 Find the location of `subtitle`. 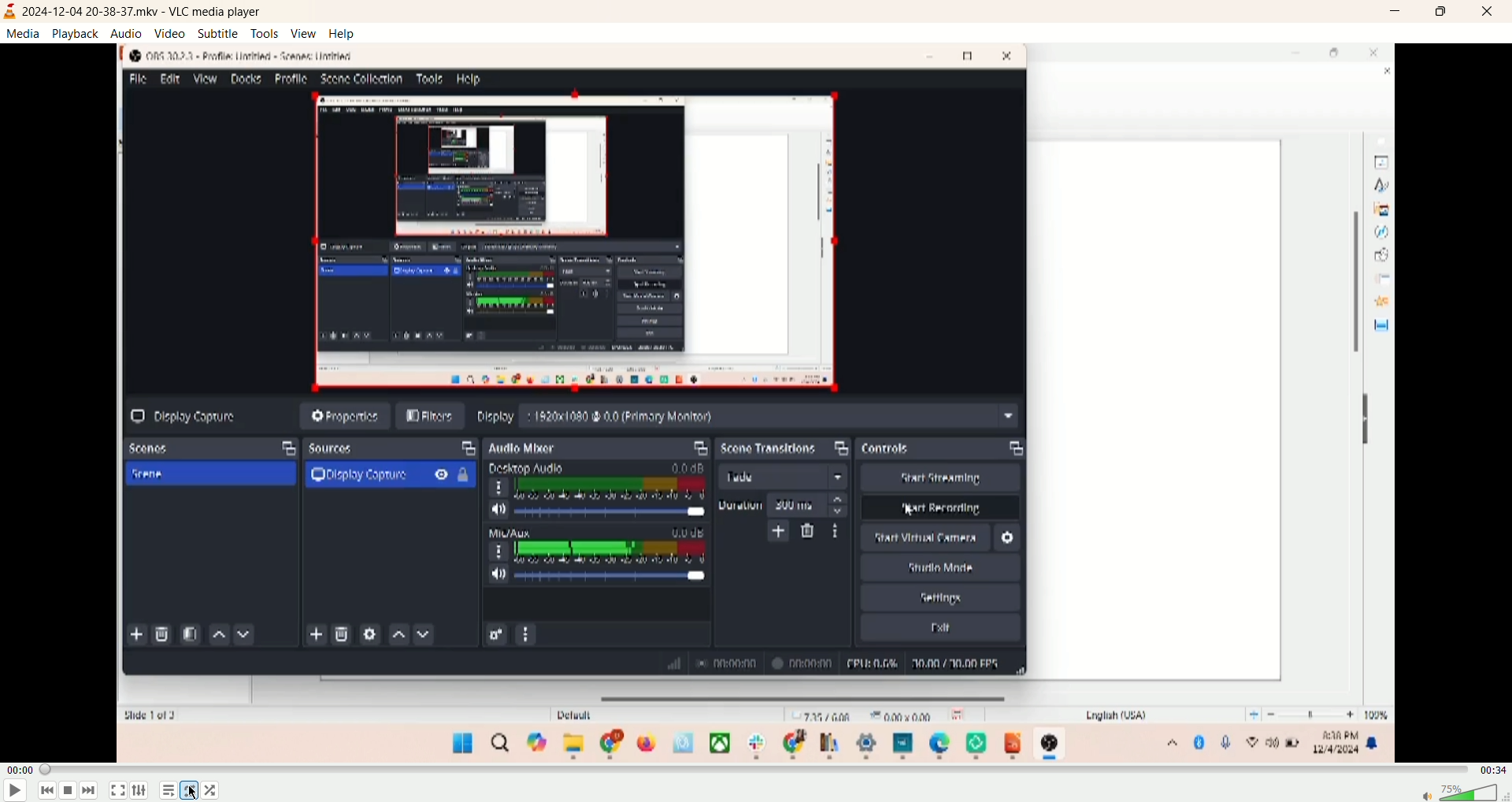

subtitle is located at coordinates (219, 35).